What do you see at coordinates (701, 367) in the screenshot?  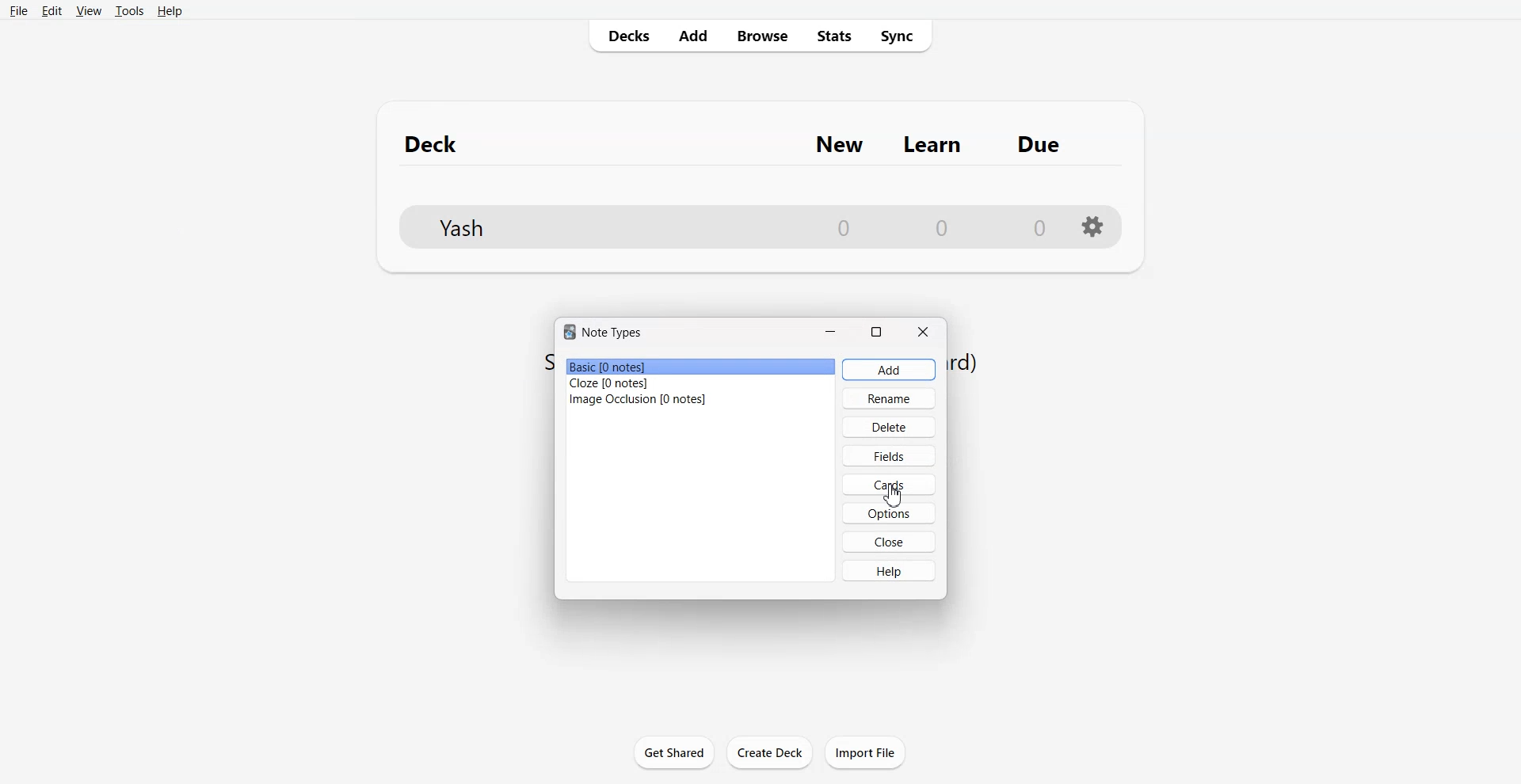 I see `Basic` at bounding box center [701, 367].